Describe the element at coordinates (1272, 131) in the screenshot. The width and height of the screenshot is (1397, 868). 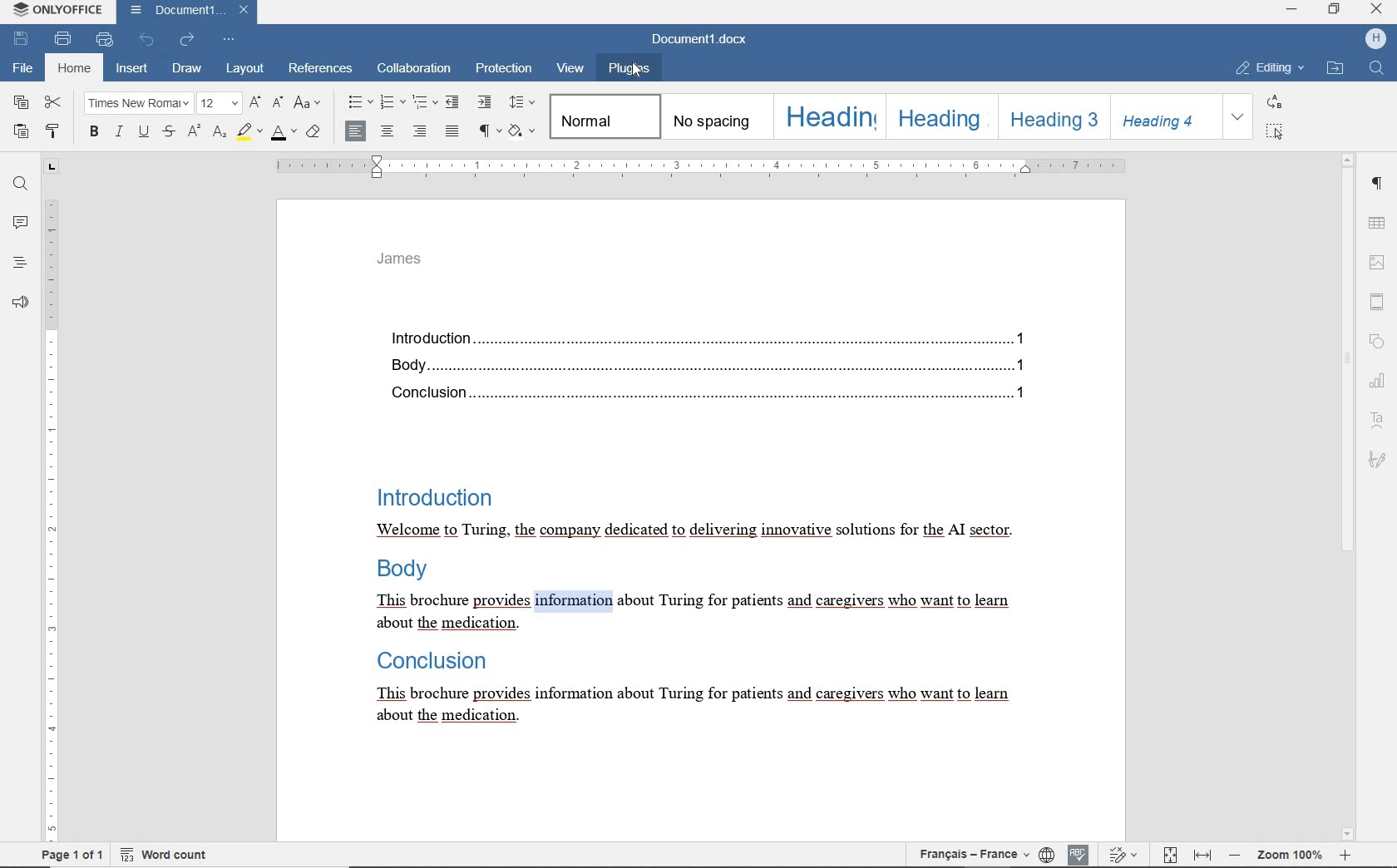
I see `SELECT ALL` at that location.